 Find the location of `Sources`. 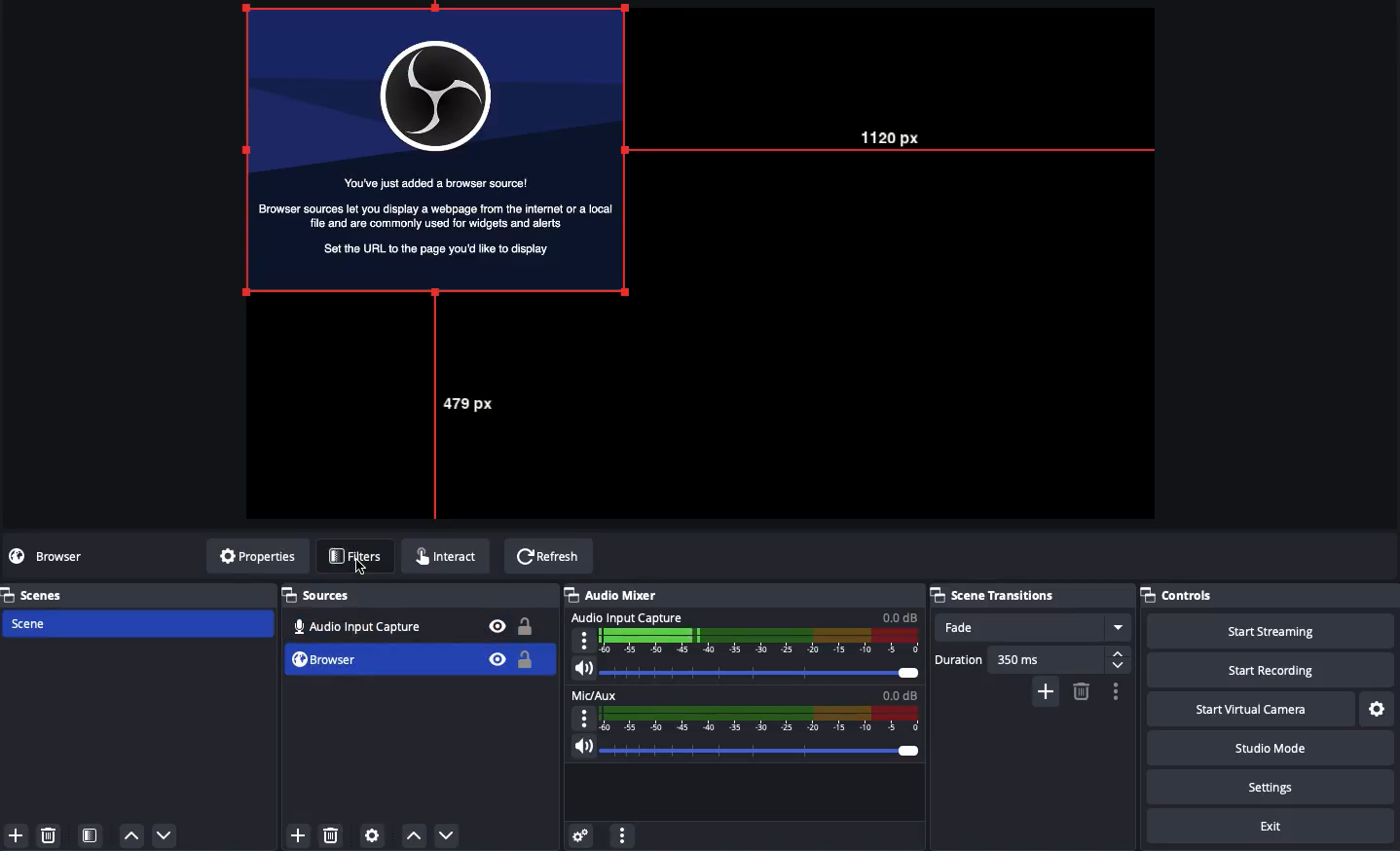

Sources is located at coordinates (322, 596).